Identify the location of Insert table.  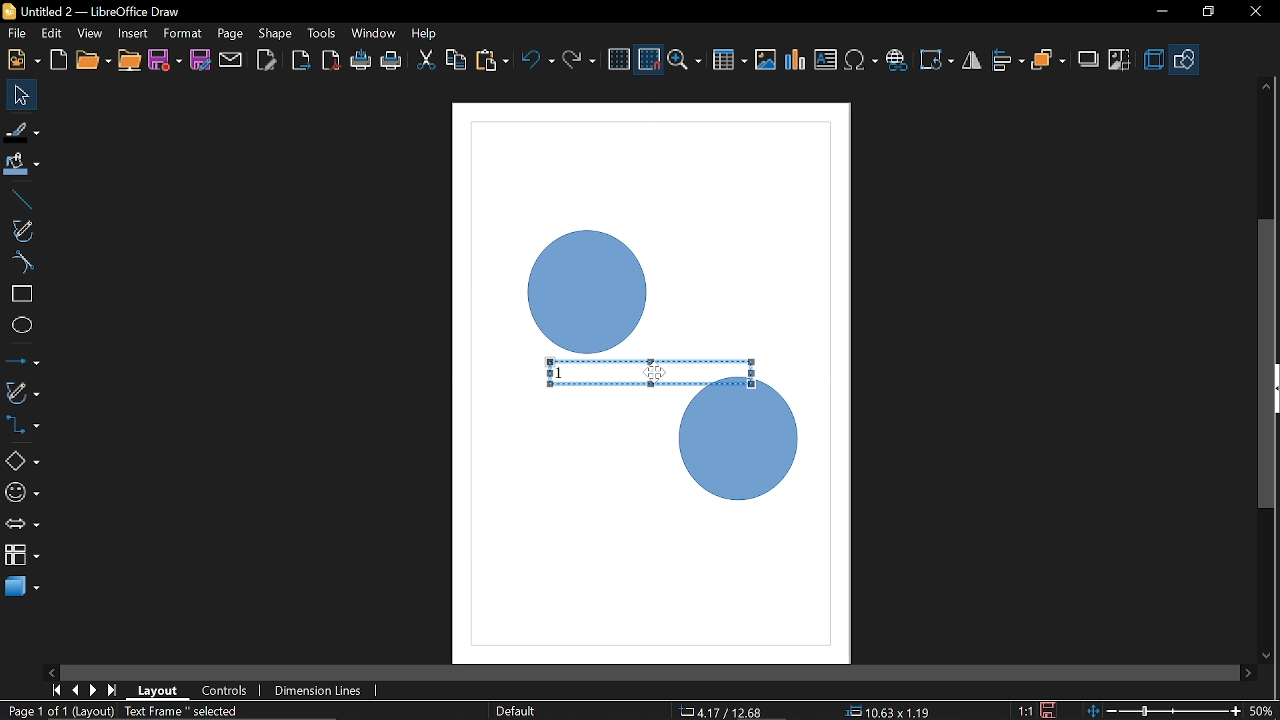
(730, 61).